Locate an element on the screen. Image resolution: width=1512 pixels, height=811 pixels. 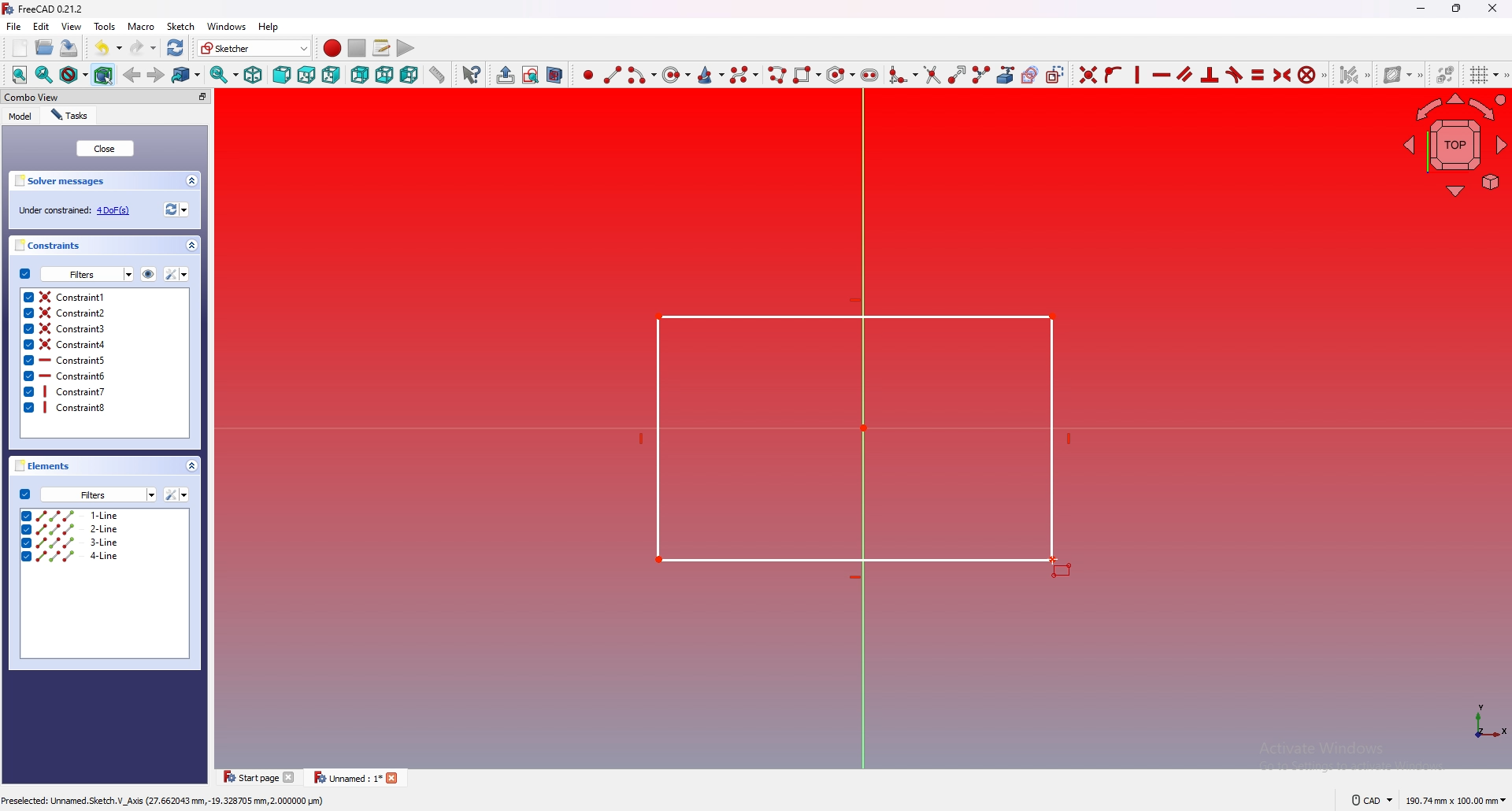
create fillet is located at coordinates (904, 75).